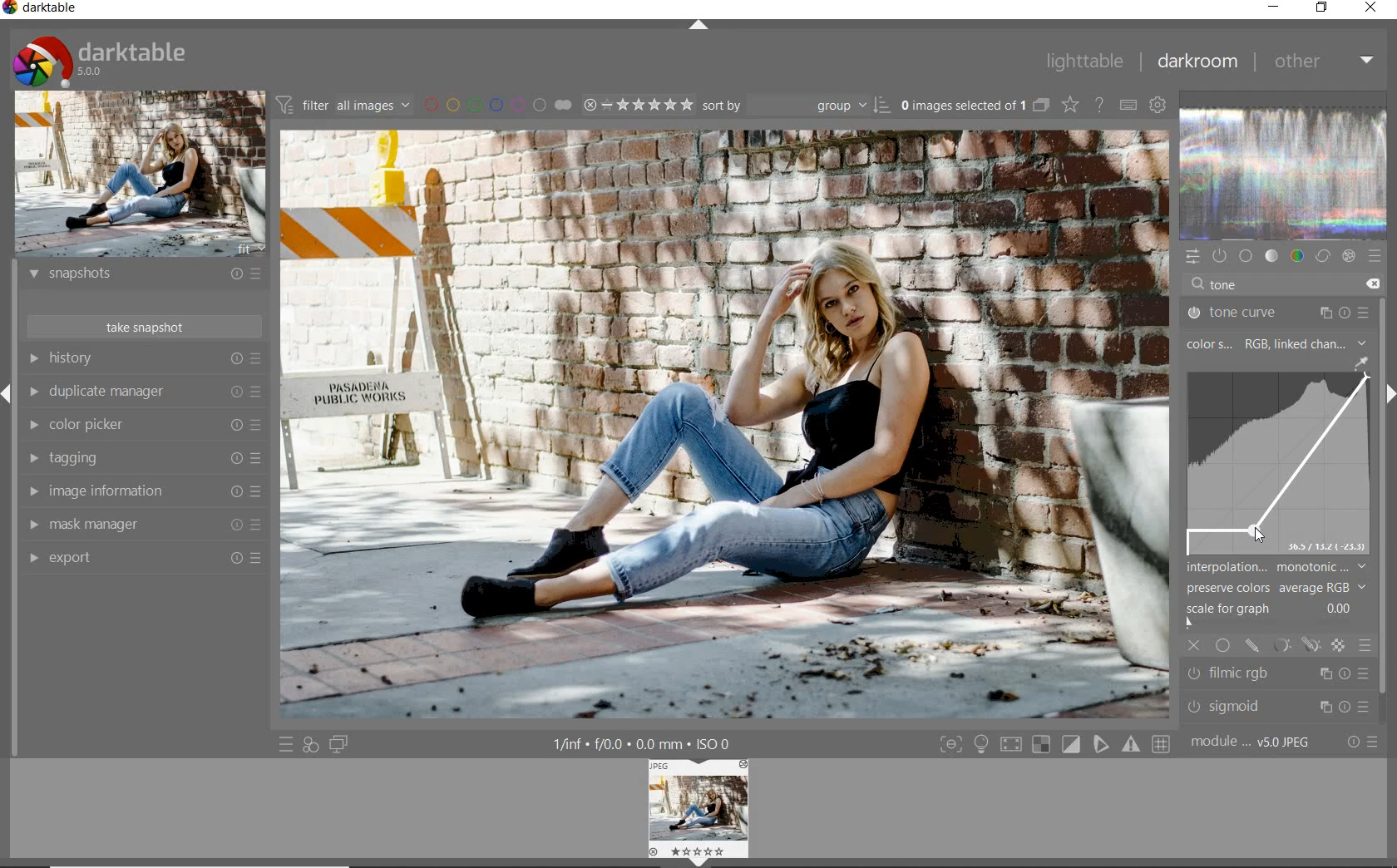 The width and height of the screenshot is (1397, 868). Describe the element at coordinates (1323, 62) in the screenshot. I see `other` at that location.